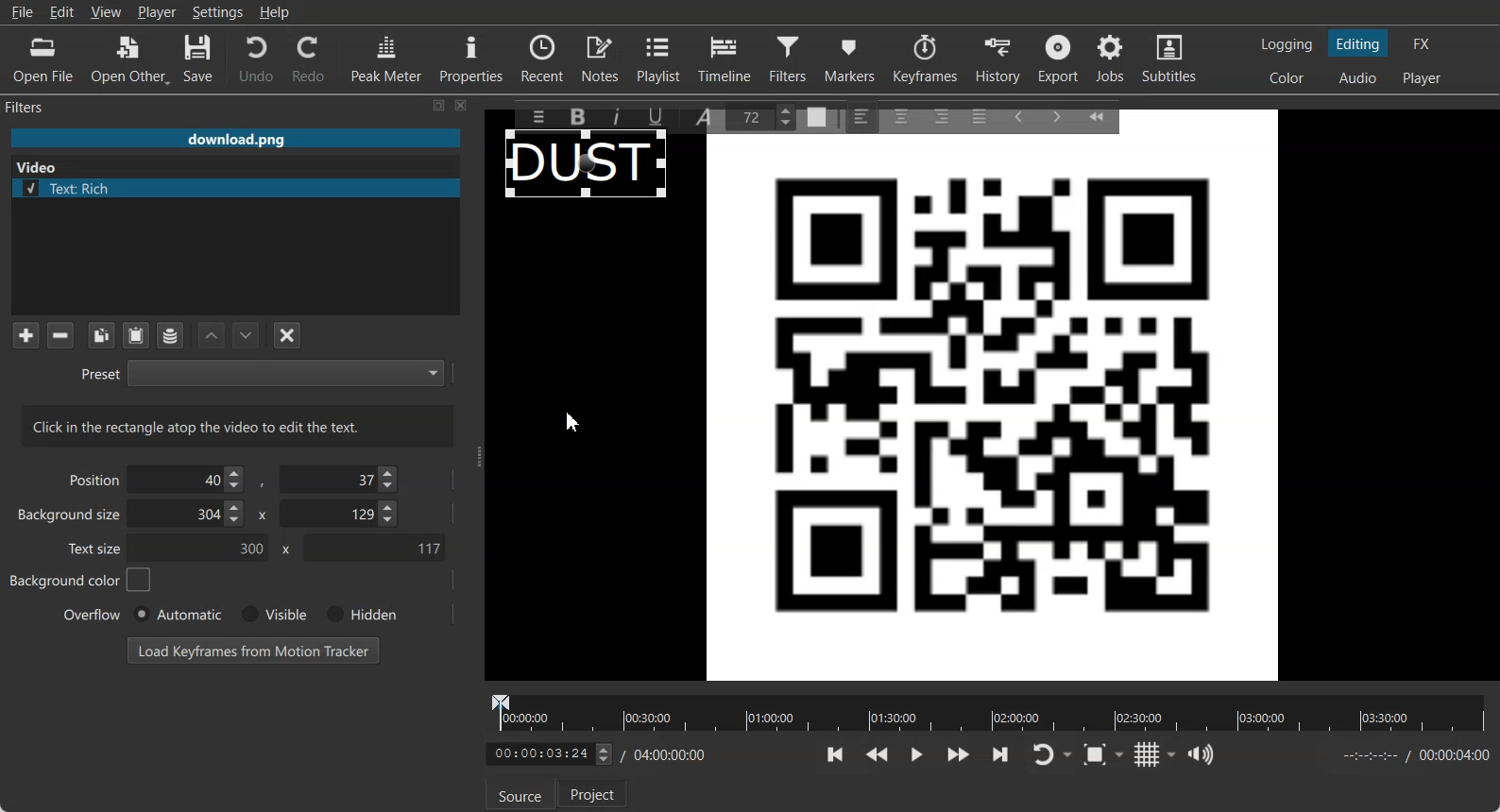  What do you see at coordinates (925, 58) in the screenshot?
I see `Keyframes` at bounding box center [925, 58].